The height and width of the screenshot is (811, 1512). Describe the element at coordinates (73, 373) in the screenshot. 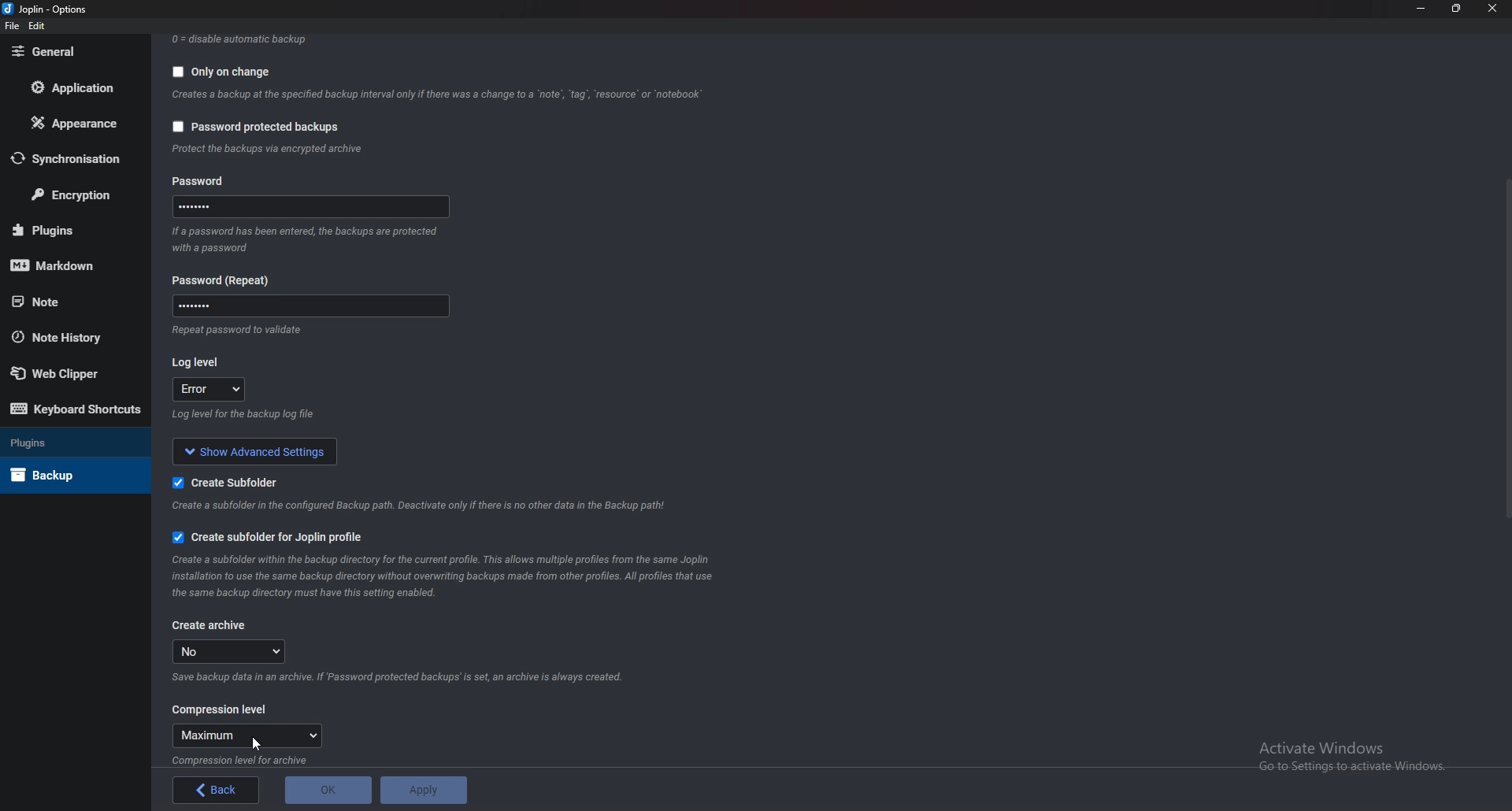

I see `Web Clipper` at that location.